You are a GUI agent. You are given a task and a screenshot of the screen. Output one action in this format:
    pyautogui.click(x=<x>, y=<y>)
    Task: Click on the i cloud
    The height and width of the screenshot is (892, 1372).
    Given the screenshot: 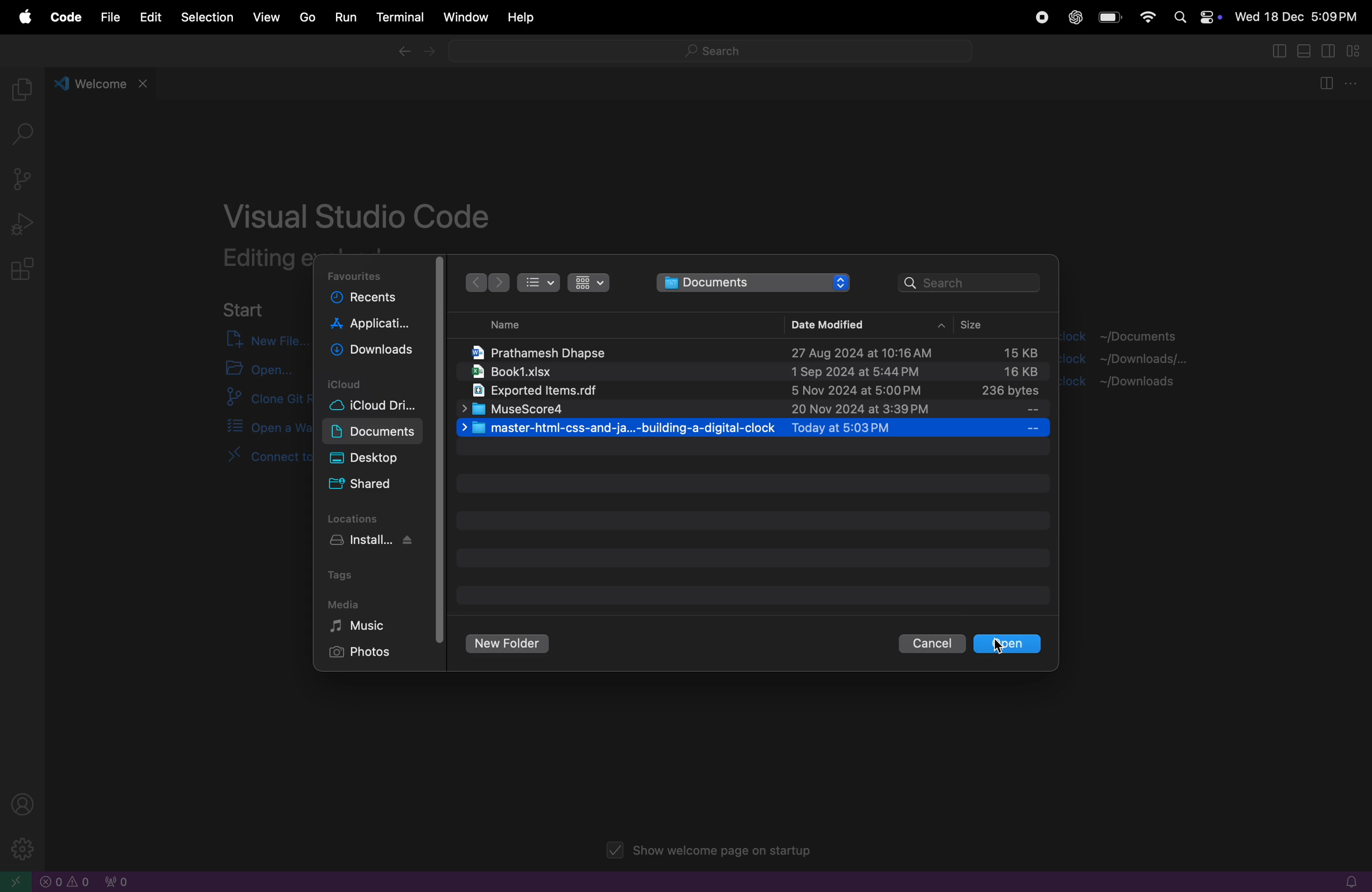 What is the action you would take?
    pyautogui.click(x=375, y=383)
    